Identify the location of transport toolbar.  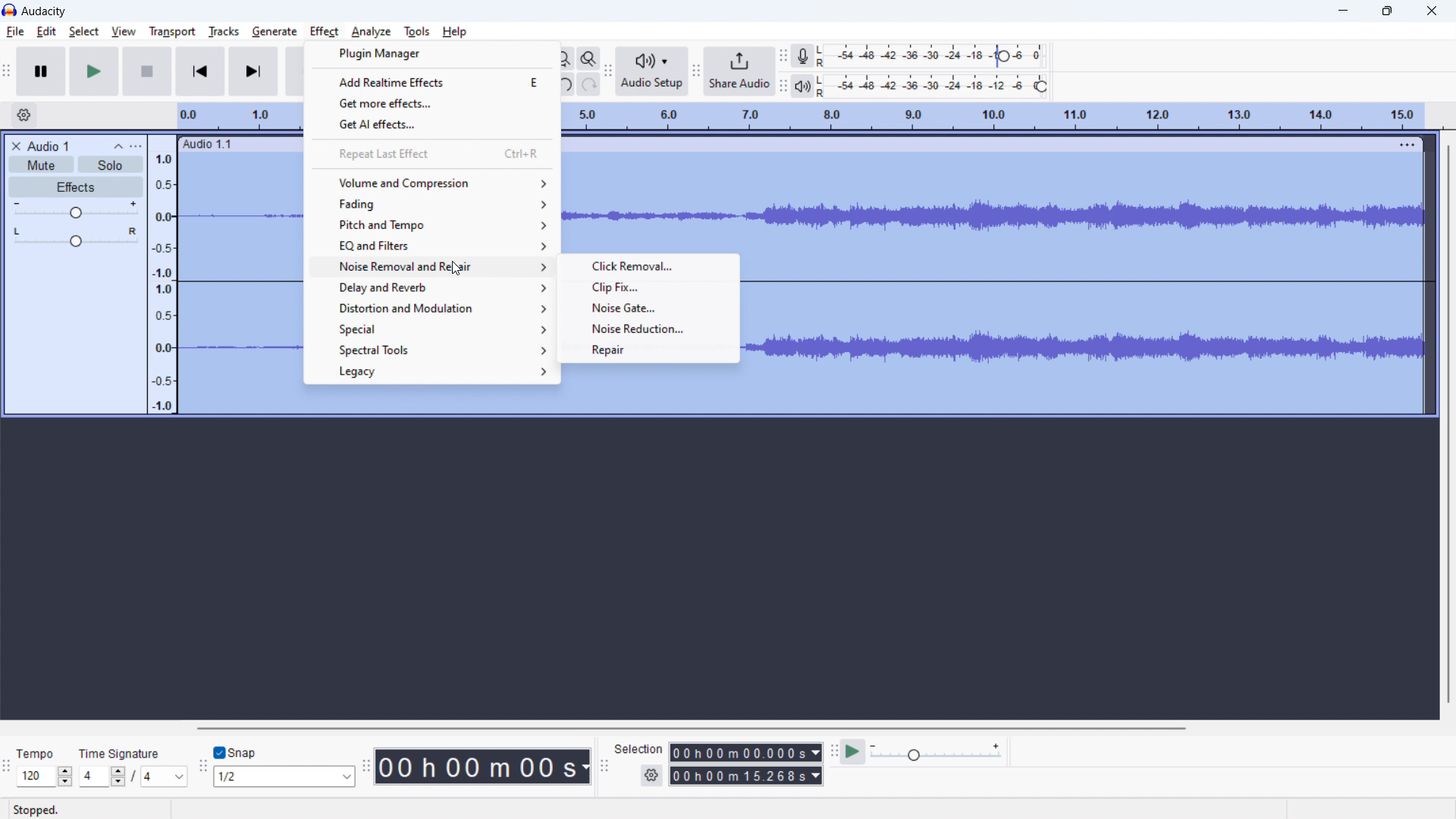
(8, 70).